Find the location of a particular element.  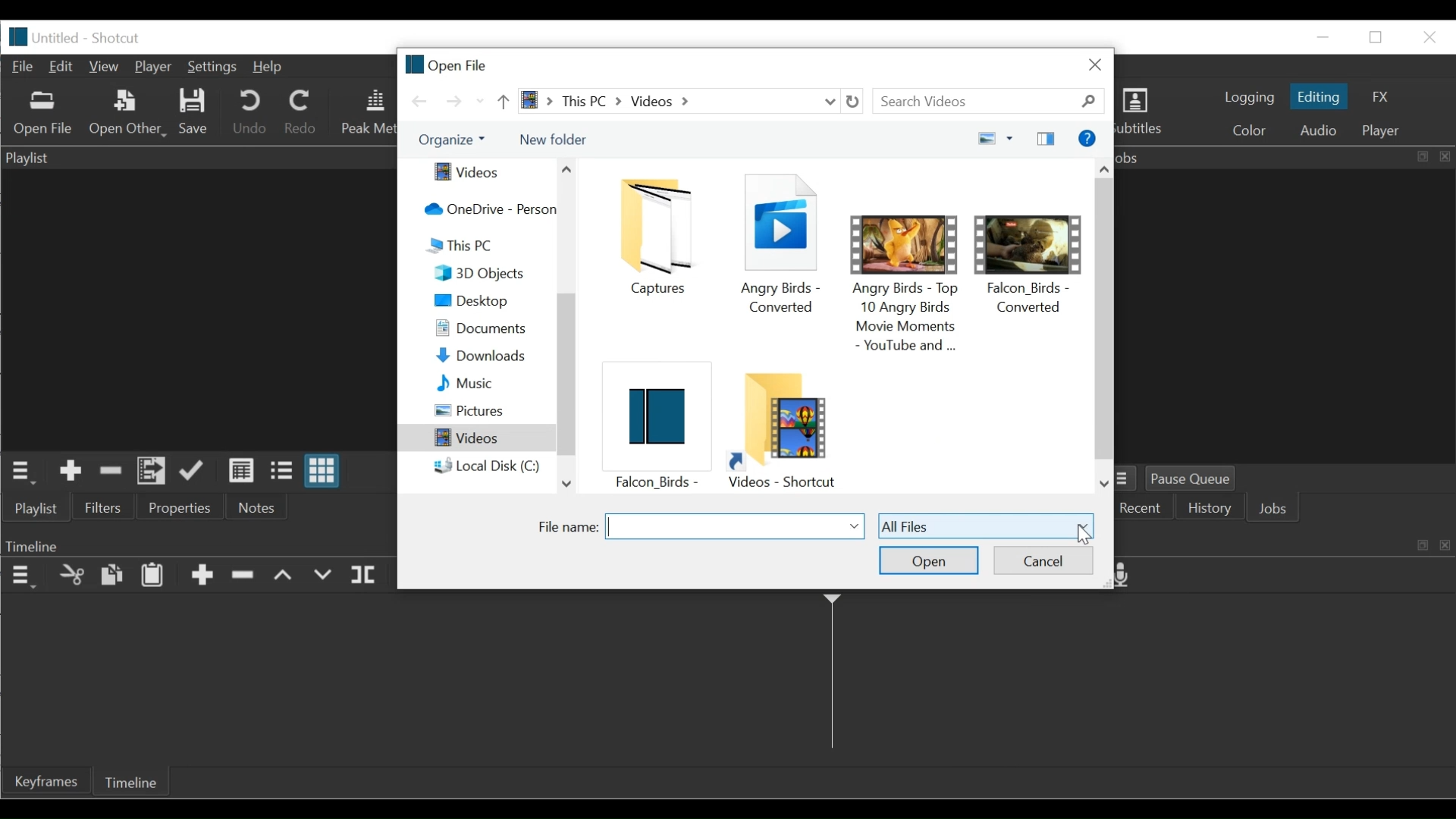

angry birds -top 10 angrybirds movie movements - youtube and _ is located at coordinates (907, 276).